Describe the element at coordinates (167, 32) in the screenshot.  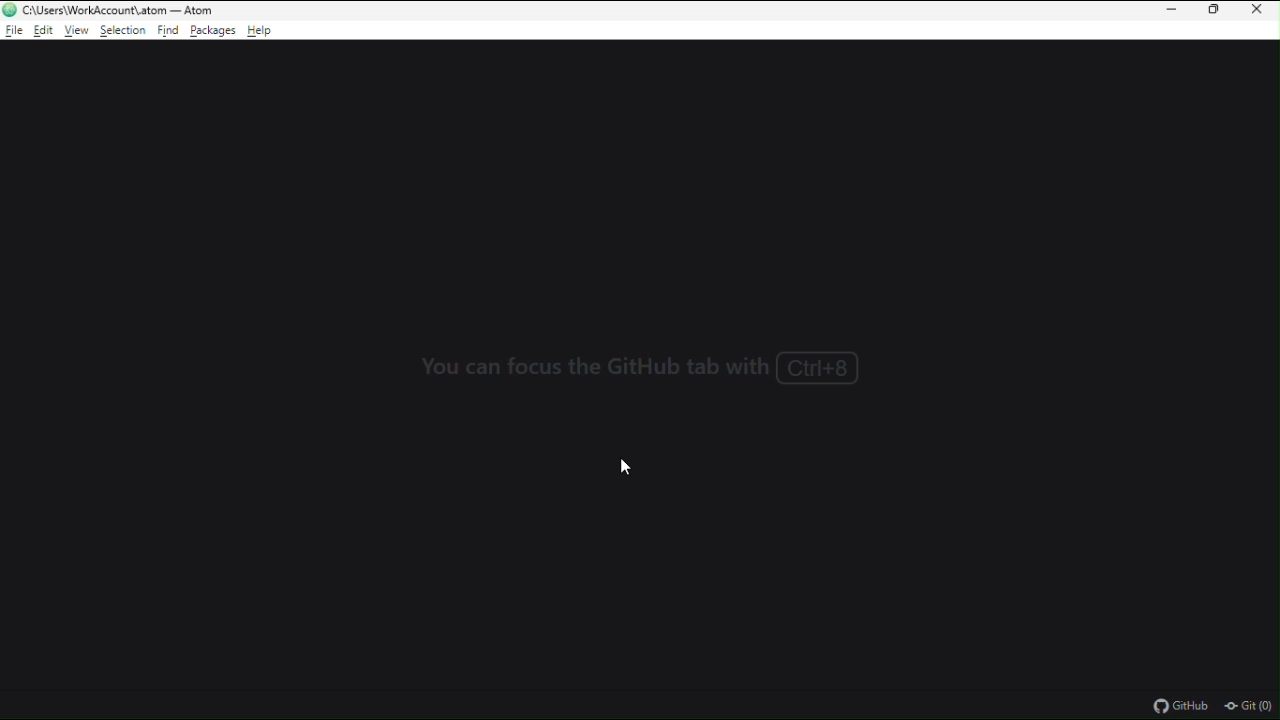
I see `find` at that location.